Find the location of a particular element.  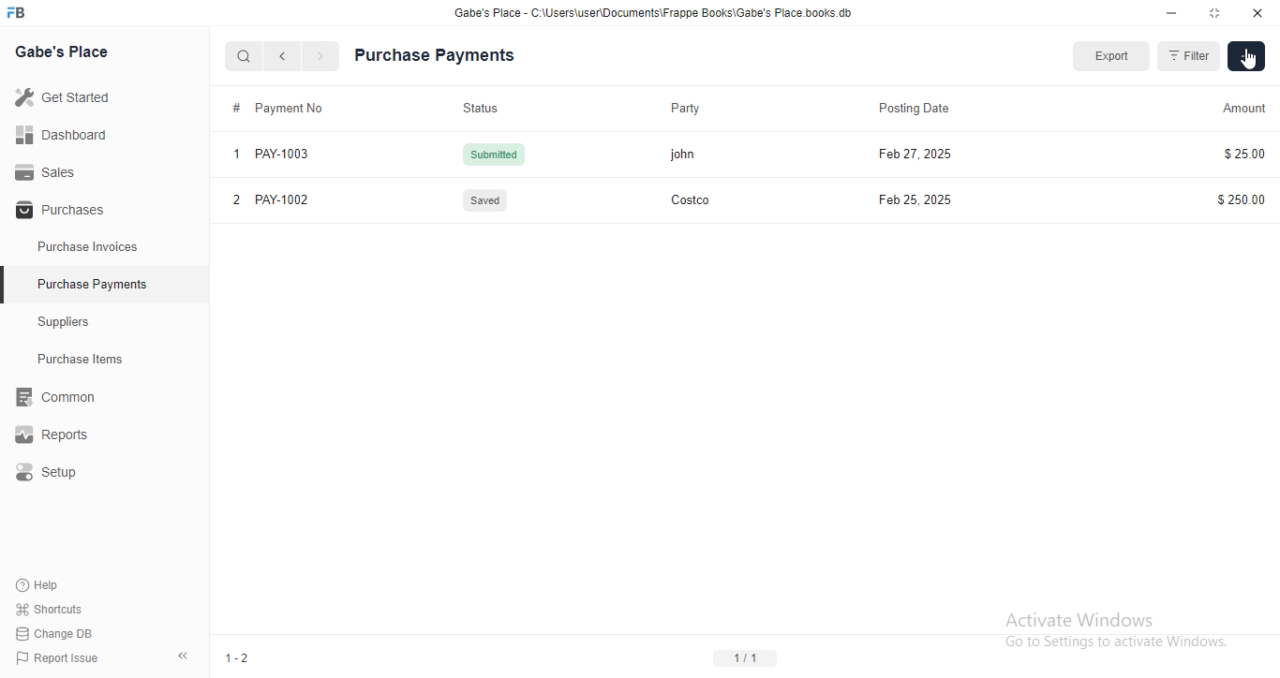

Rit
Common is located at coordinates (55, 398).